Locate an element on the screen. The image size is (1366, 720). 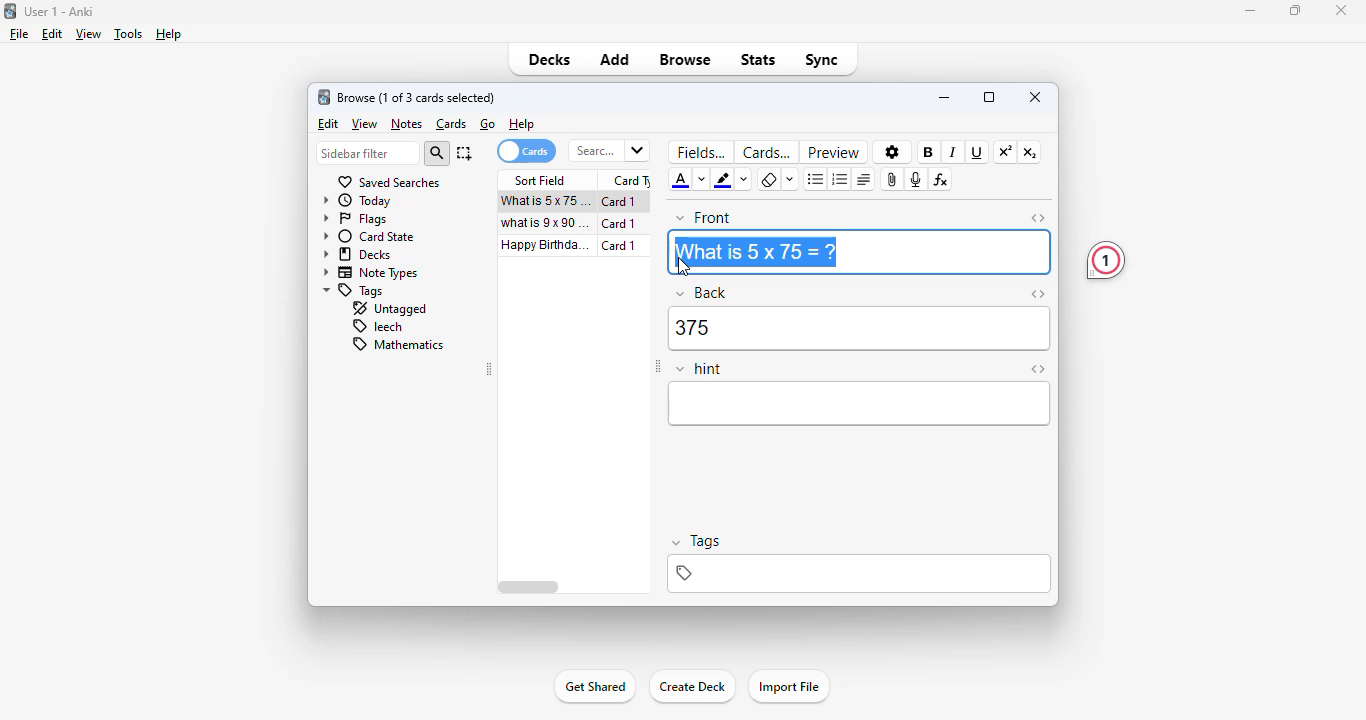
go is located at coordinates (487, 124).